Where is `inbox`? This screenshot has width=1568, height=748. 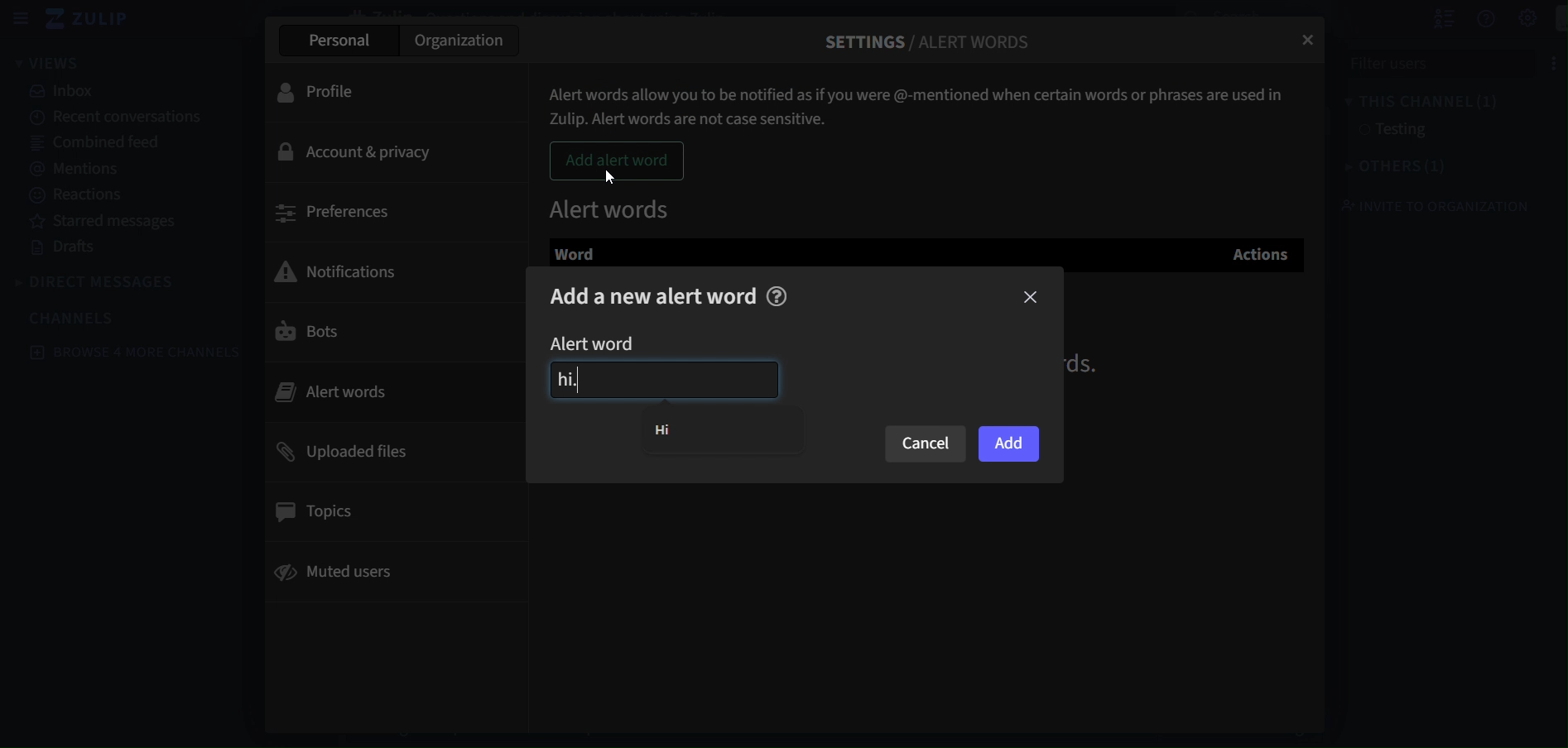
inbox is located at coordinates (64, 93).